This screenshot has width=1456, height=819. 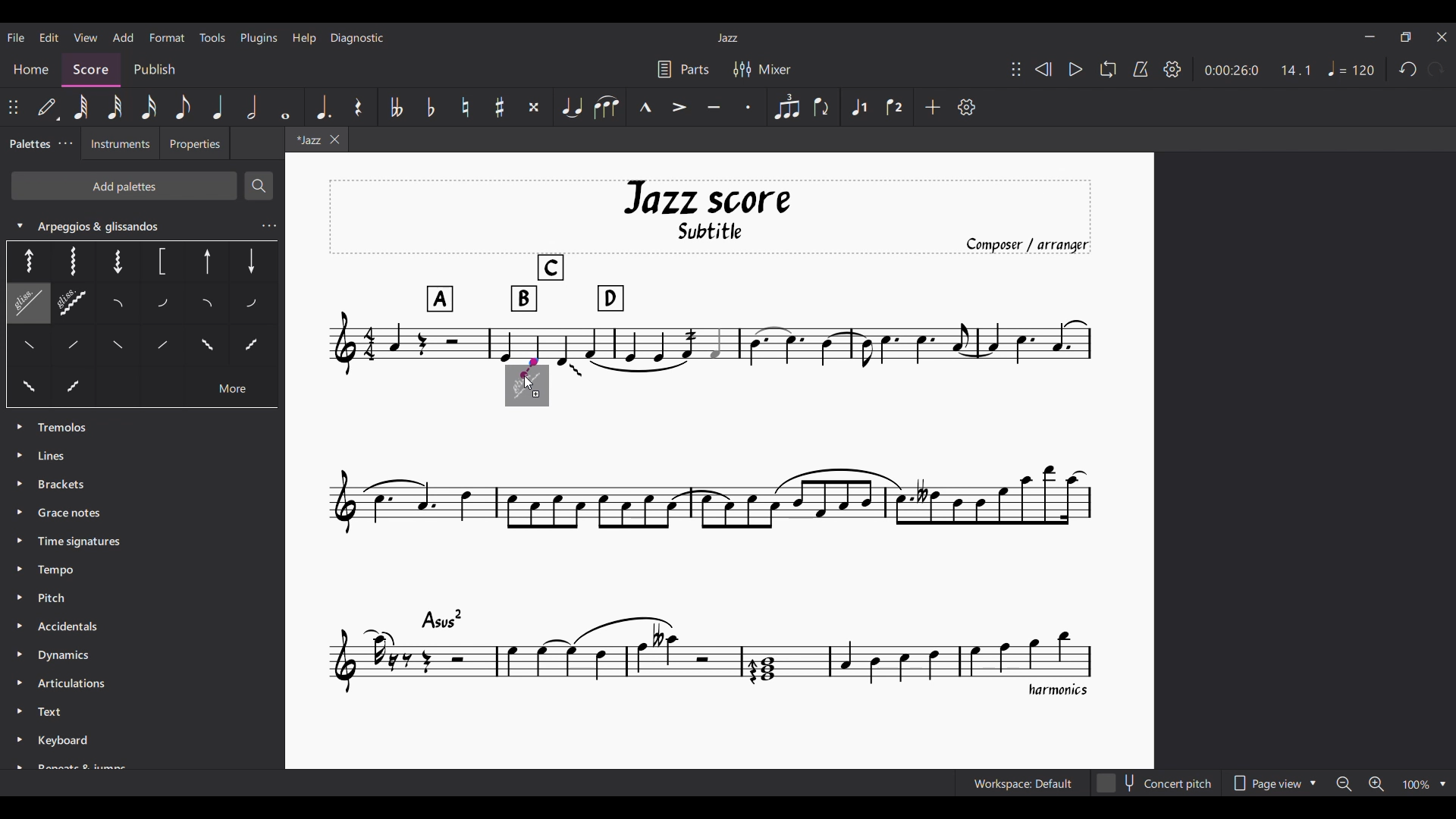 I want to click on Tuplet, so click(x=787, y=108).